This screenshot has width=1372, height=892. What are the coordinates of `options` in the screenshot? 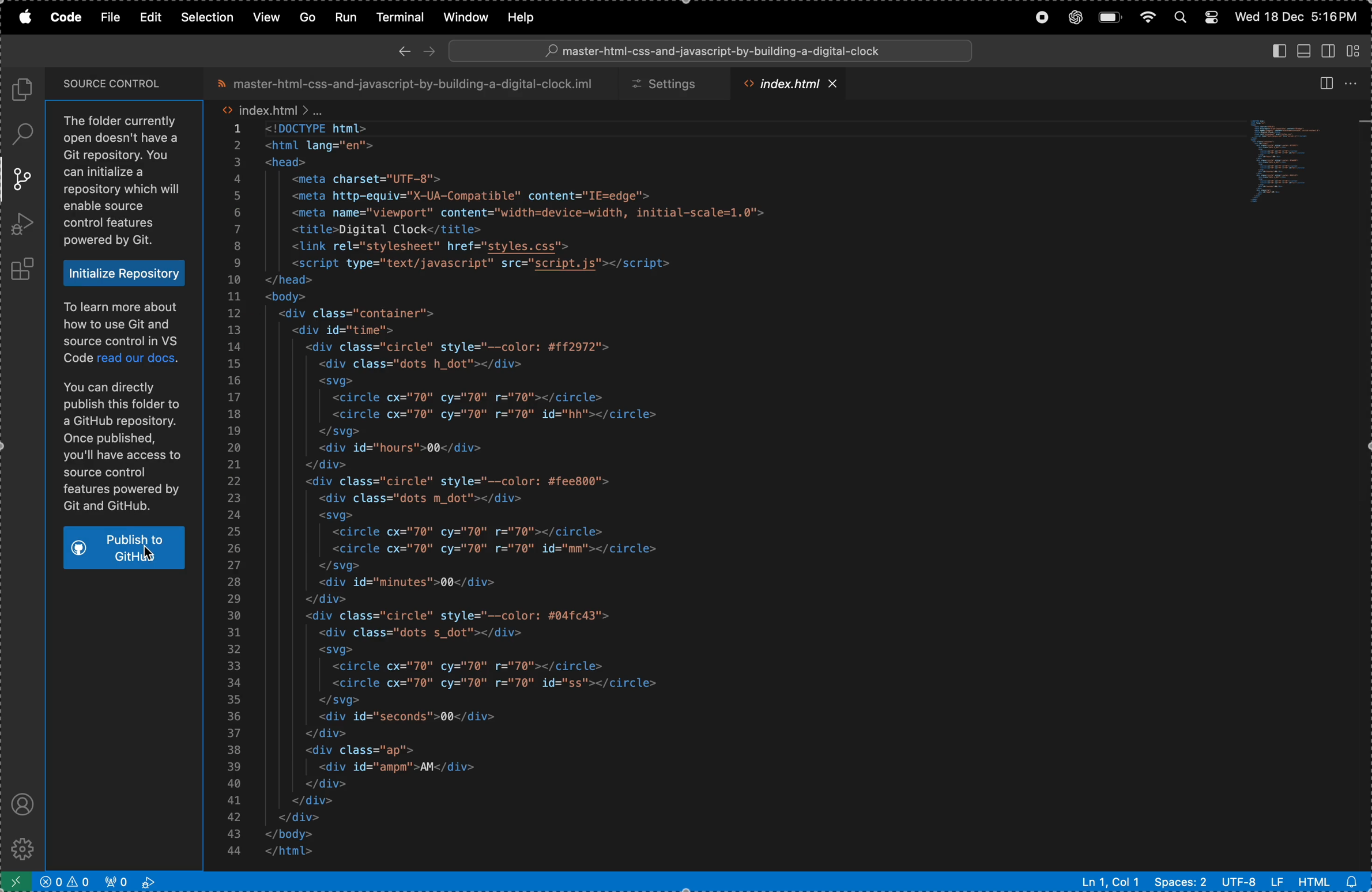 It's located at (1352, 82).